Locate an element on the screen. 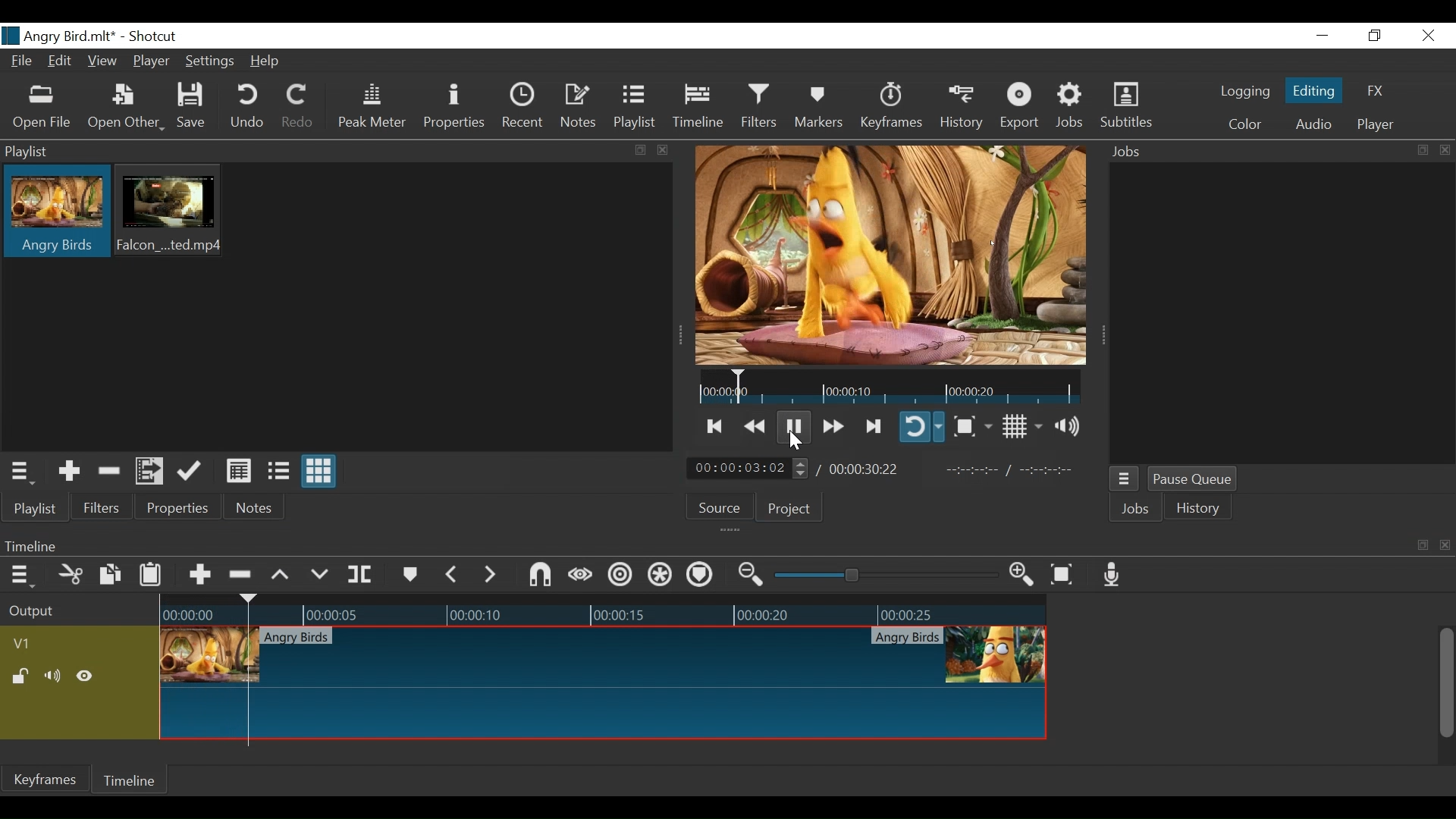 This screenshot has width=1456, height=819. Project is located at coordinates (790, 511).